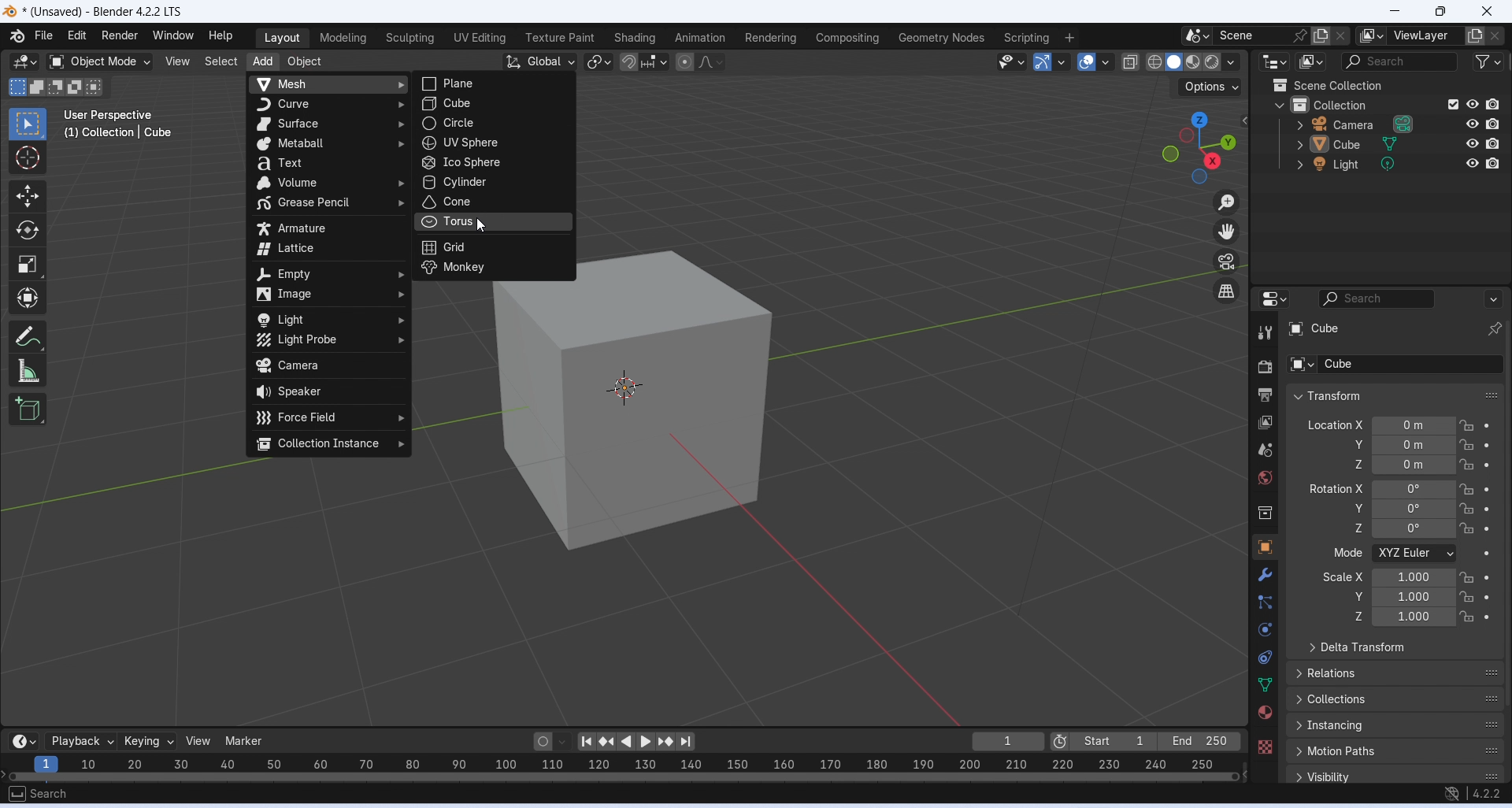 Image resolution: width=1512 pixels, height=808 pixels. I want to click on Horizontal slider, so click(626, 776).